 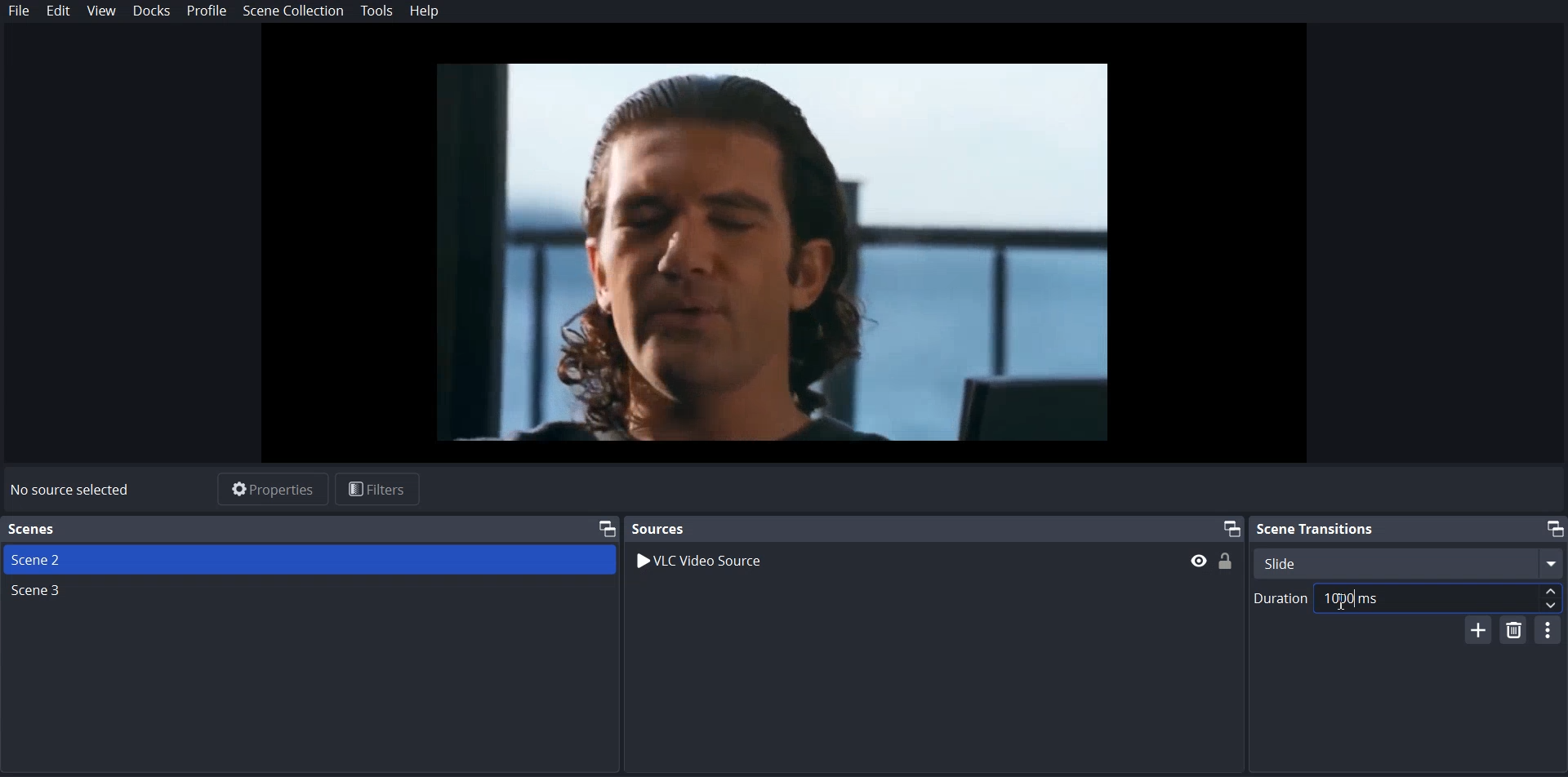 I want to click on VLC Video Source , so click(x=704, y=563).